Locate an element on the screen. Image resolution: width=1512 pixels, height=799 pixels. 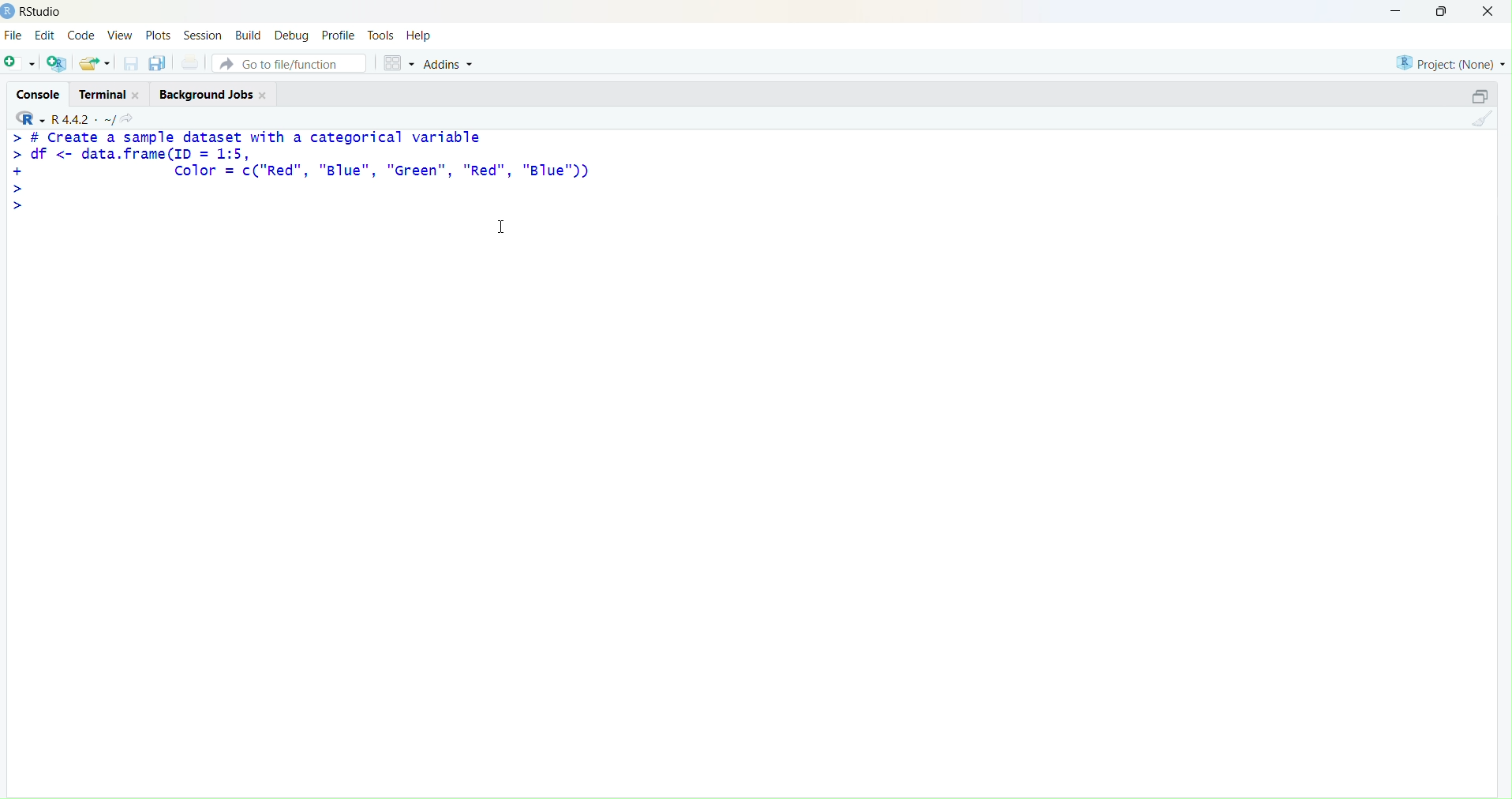
go to file/function is located at coordinates (289, 63).